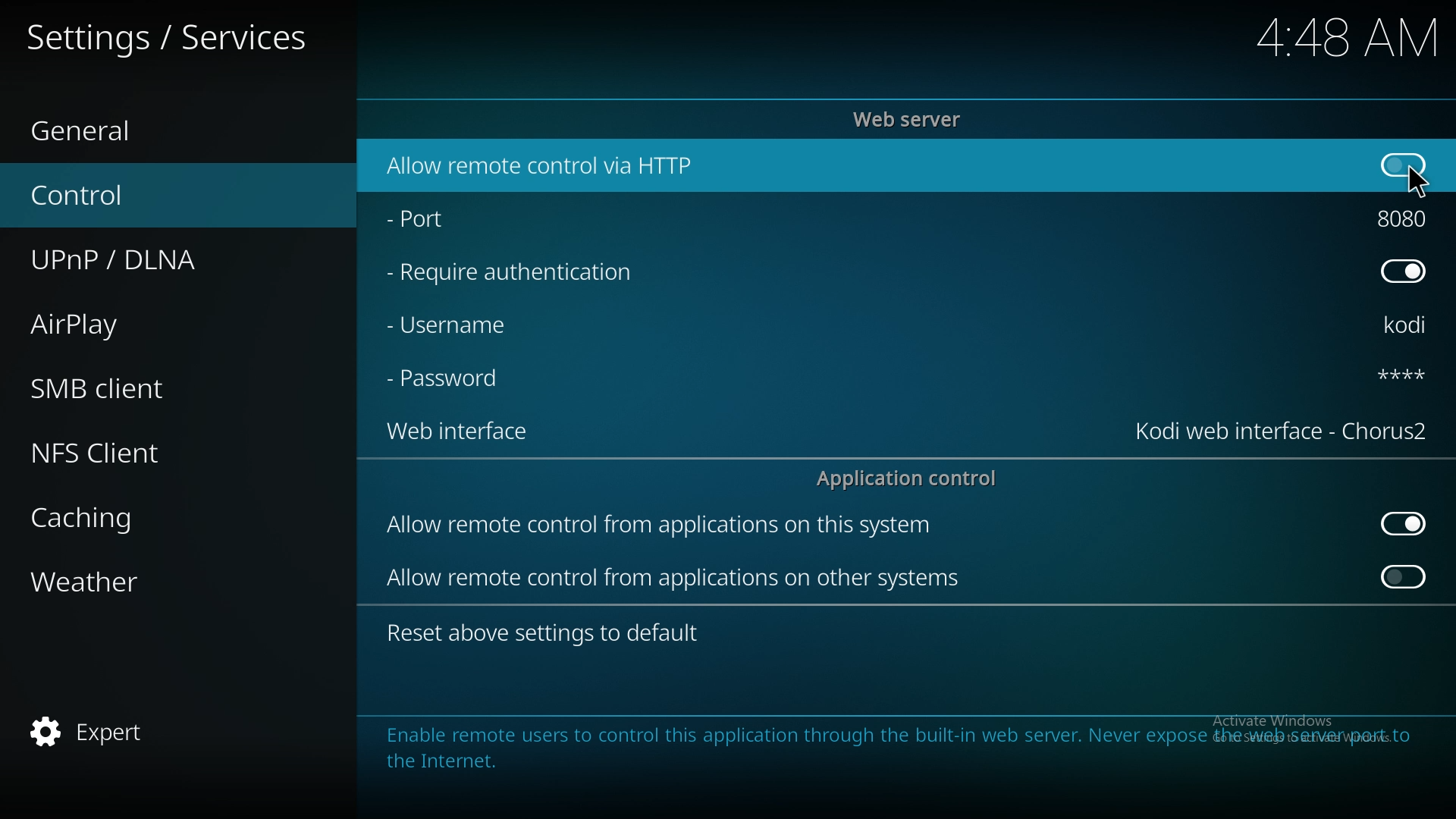  Describe the element at coordinates (457, 434) in the screenshot. I see `web interface` at that location.